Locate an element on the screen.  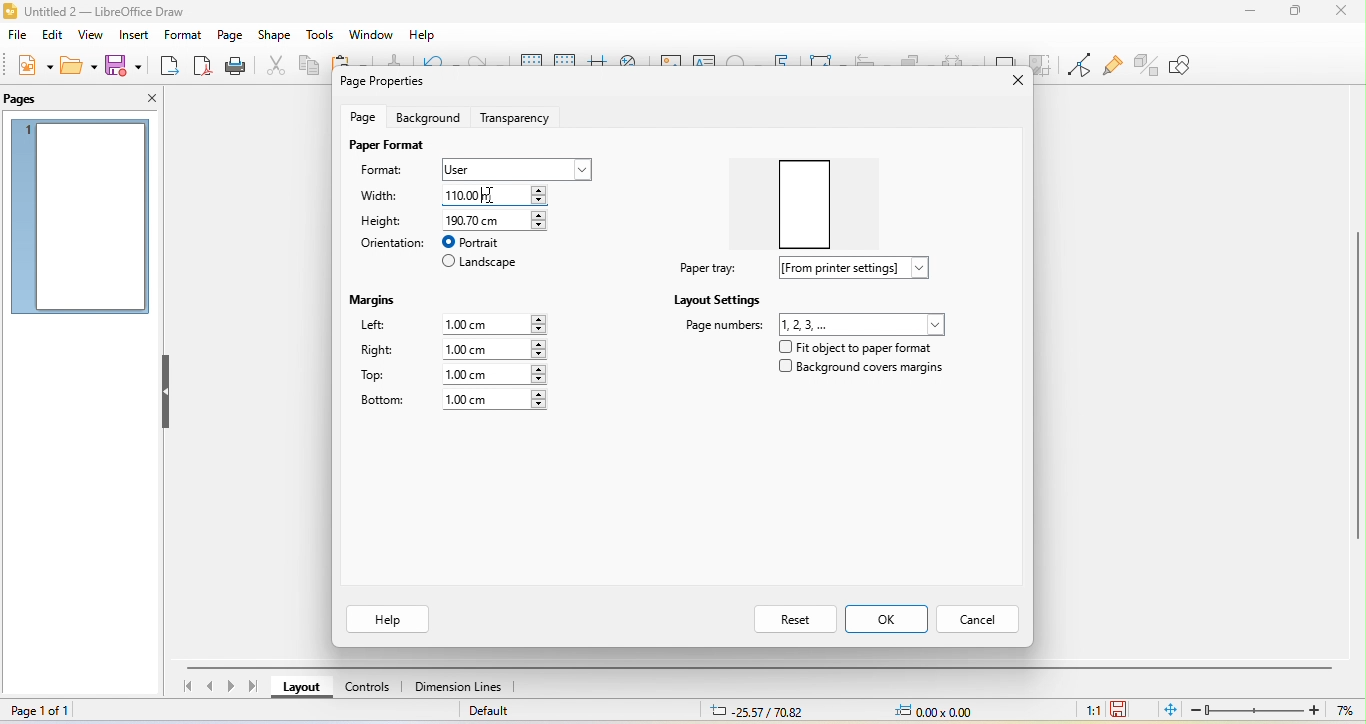
cursor movement is located at coordinates (491, 194).